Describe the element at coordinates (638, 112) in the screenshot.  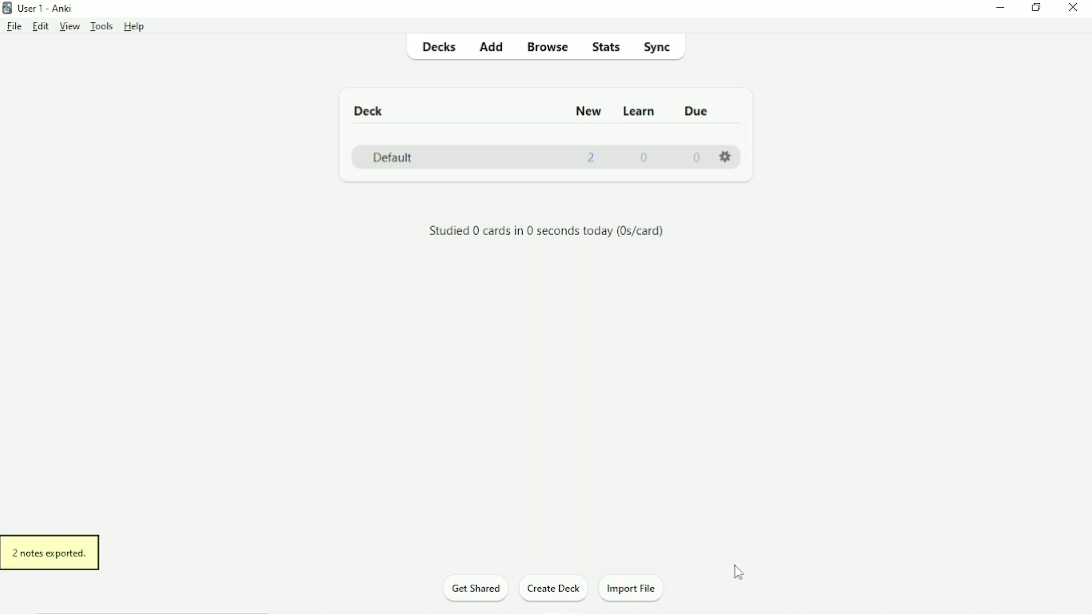
I see `Learn` at that location.